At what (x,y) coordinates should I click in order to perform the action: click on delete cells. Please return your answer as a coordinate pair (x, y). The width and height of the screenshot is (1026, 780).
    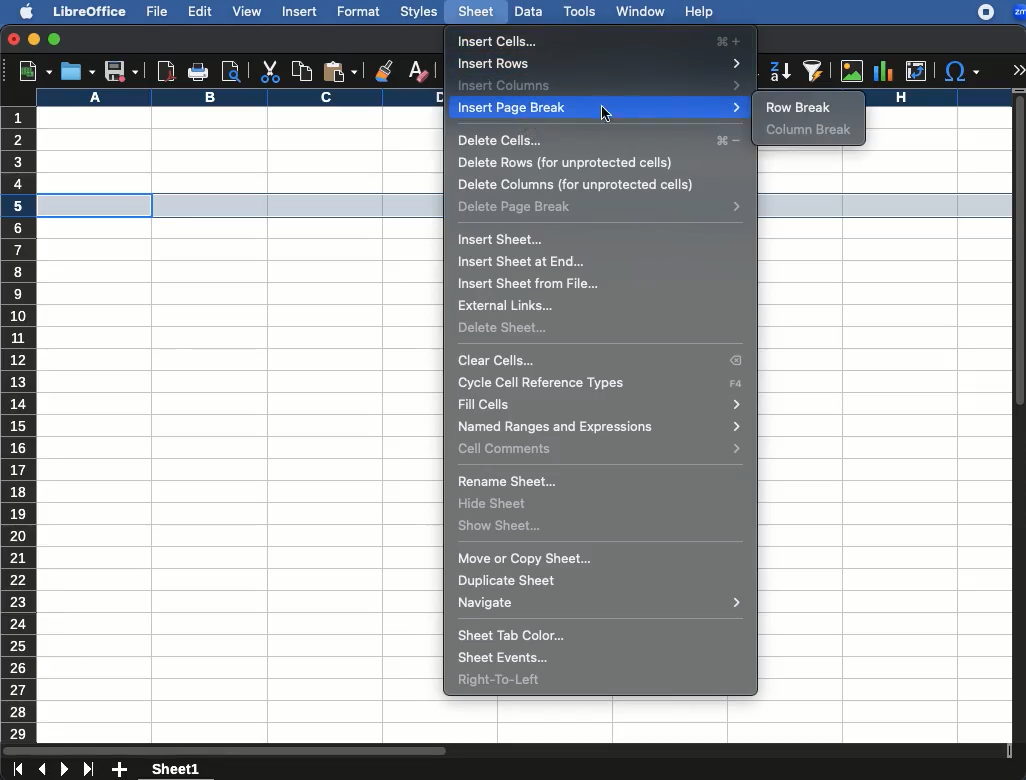
    Looking at the image, I should click on (600, 142).